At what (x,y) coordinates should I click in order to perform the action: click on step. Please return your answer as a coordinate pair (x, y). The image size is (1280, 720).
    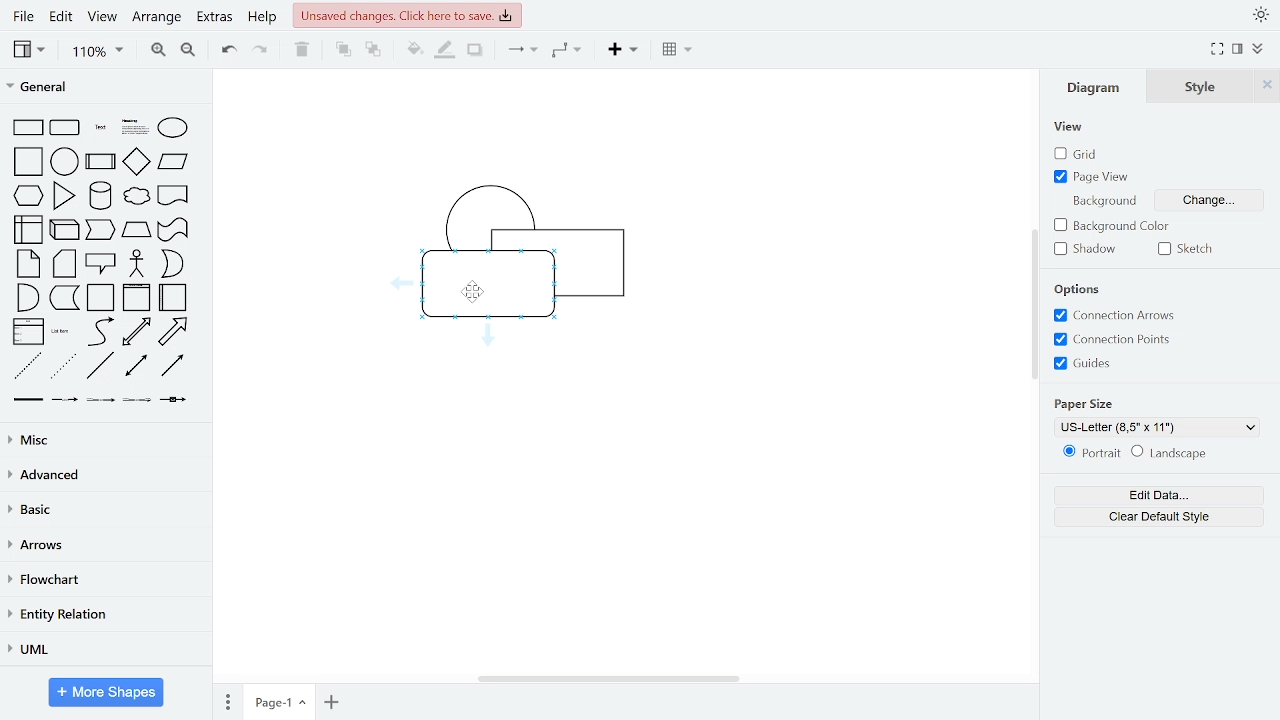
    Looking at the image, I should click on (101, 231).